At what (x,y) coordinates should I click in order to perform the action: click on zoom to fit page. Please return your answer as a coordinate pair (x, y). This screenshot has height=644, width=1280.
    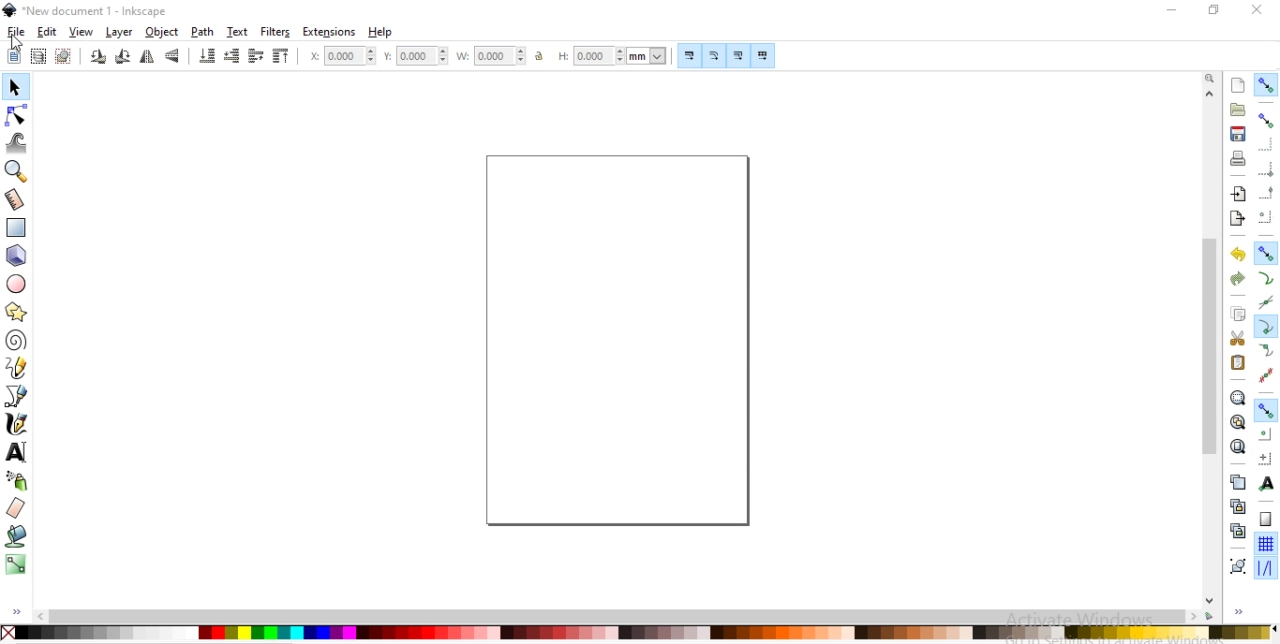
    Looking at the image, I should click on (1237, 446).